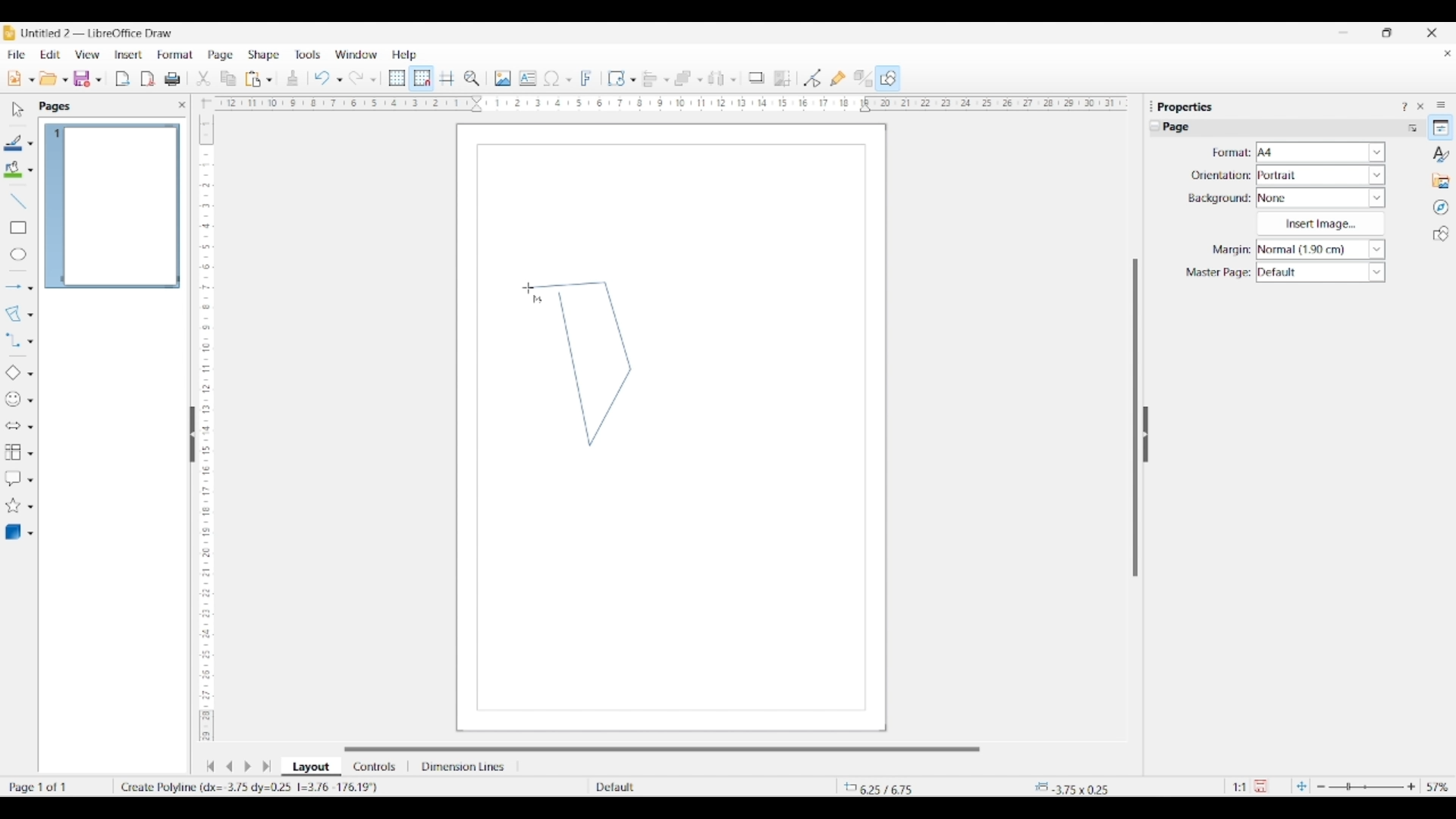 This screenshot has width=1456, height=819. What do you see at coordinates (12, 426) in the screenshot?
I see `Selected block arrow` at bounding box center [12, 426].